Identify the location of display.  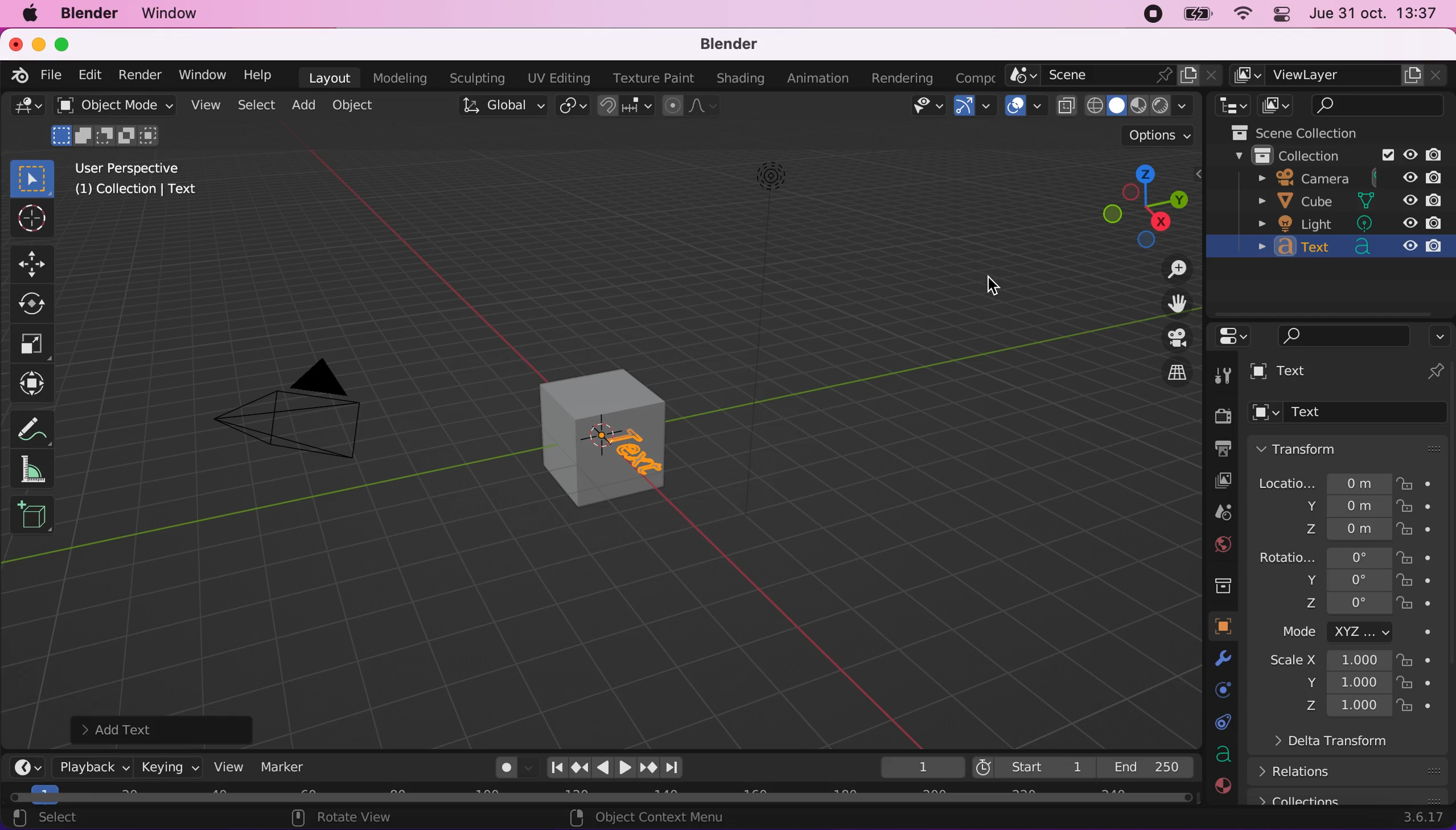
(1222, 481).